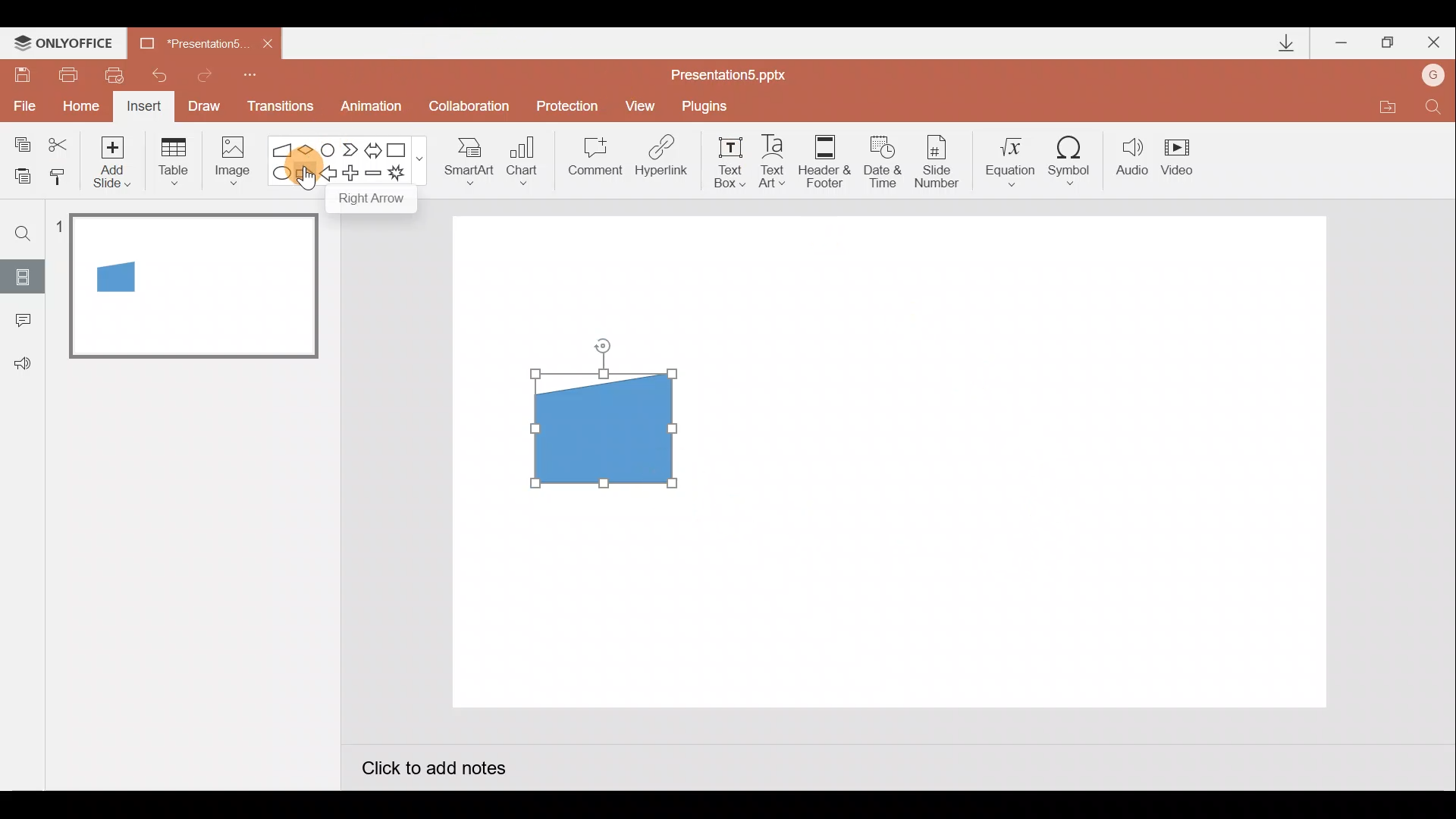  I want to click on Date & time, so click(878, 158).